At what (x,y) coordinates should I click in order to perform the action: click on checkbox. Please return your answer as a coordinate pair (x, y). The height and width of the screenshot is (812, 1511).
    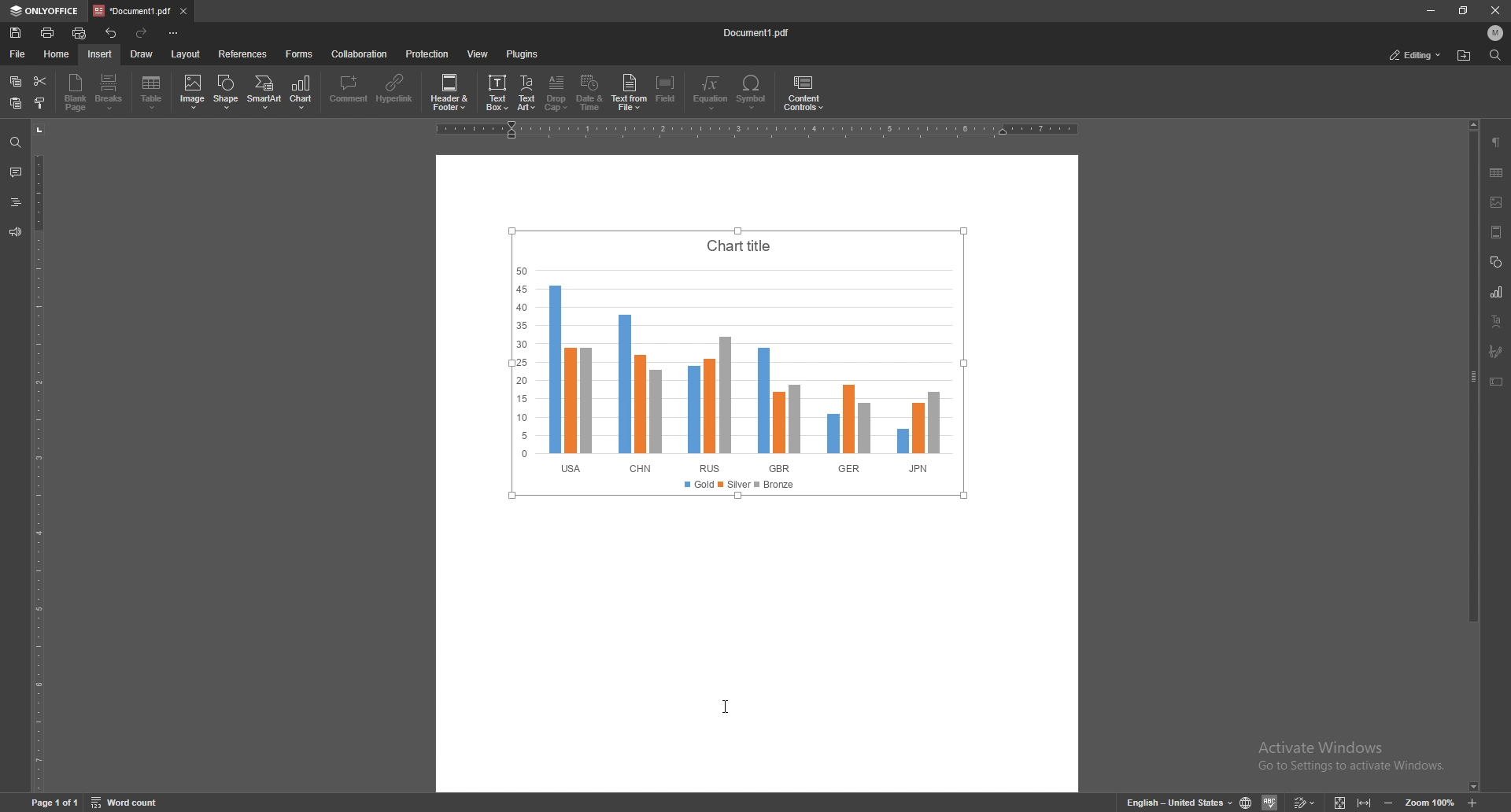
    Looking at the image, I should click on (193, 90).